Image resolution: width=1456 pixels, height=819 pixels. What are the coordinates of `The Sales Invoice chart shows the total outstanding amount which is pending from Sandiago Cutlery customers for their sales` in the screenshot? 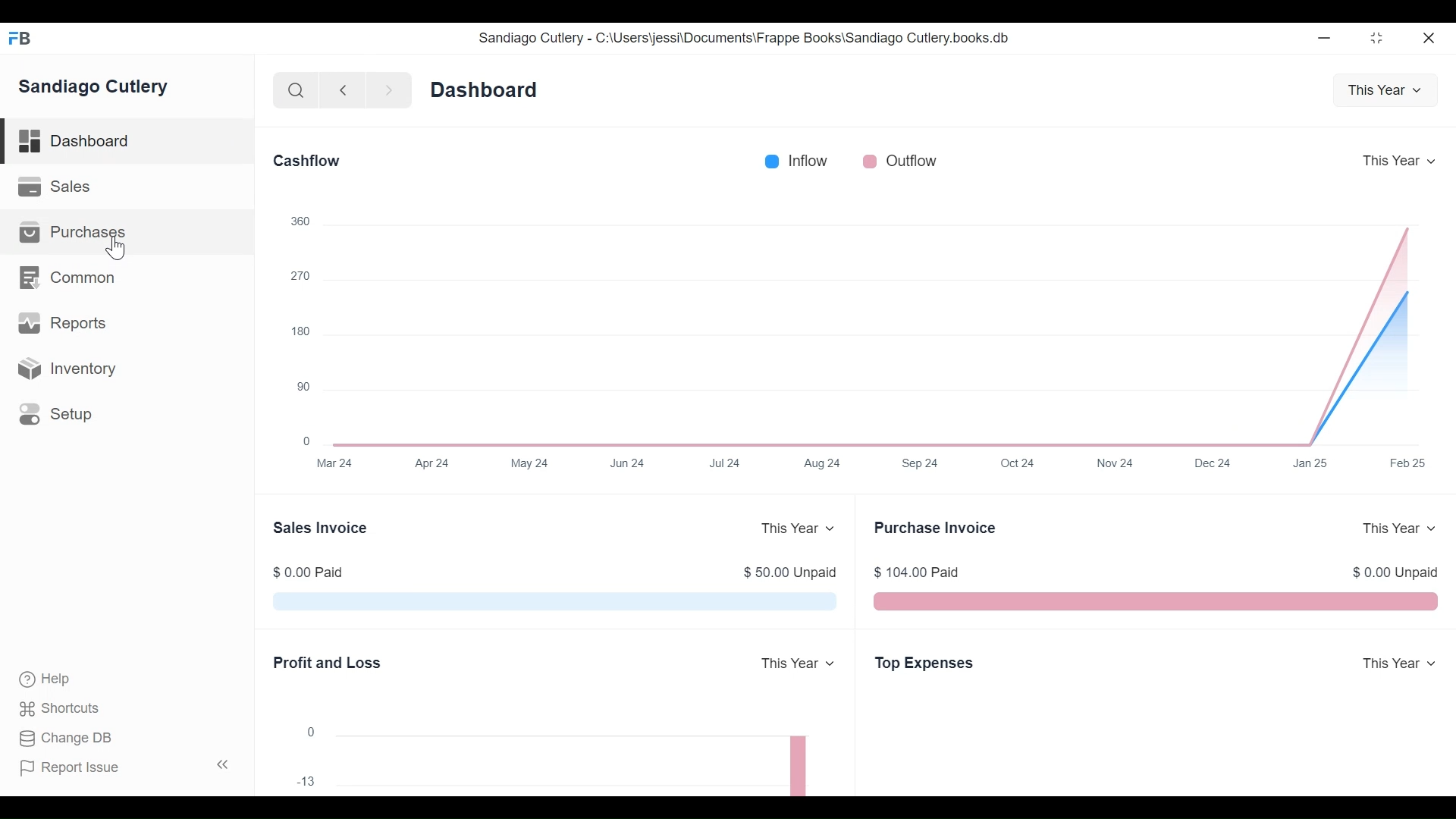 It's located at (554, 602).